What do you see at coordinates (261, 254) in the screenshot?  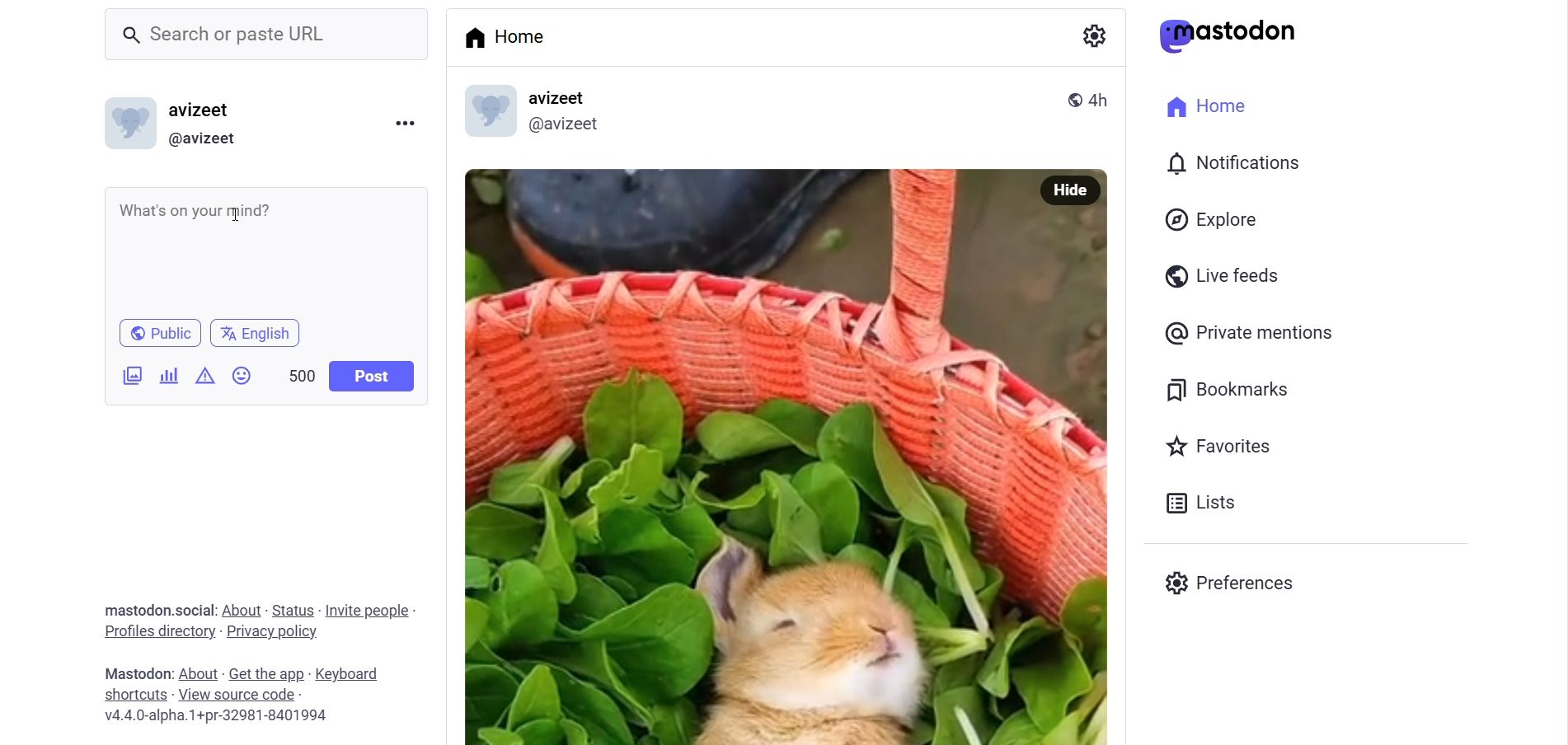 I see `What's on your mind` at bounding box center [261, 254].